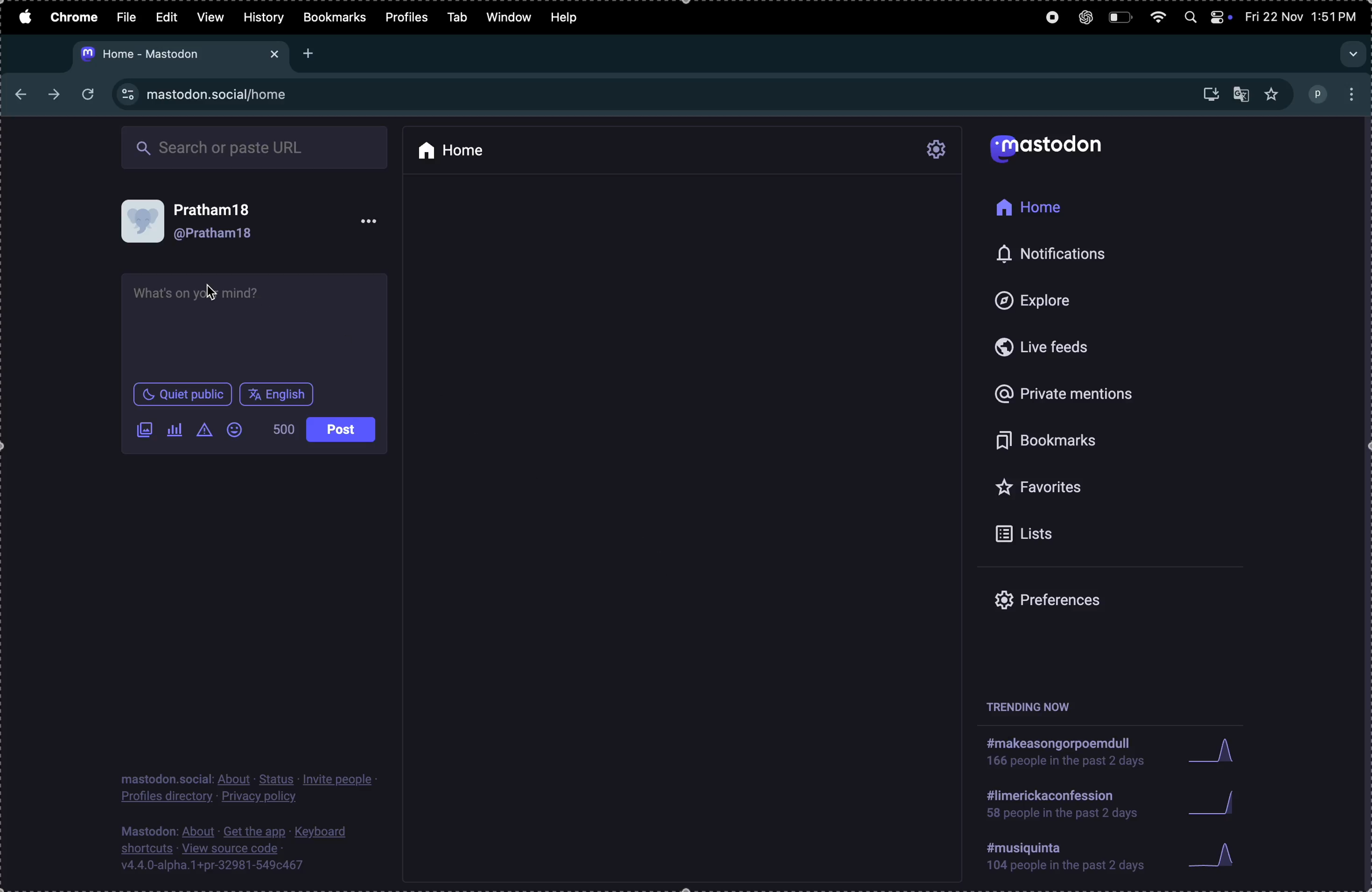  Describe the element at coordinates (186, 54) in the screenshot. I see `mastodon url` at that location.